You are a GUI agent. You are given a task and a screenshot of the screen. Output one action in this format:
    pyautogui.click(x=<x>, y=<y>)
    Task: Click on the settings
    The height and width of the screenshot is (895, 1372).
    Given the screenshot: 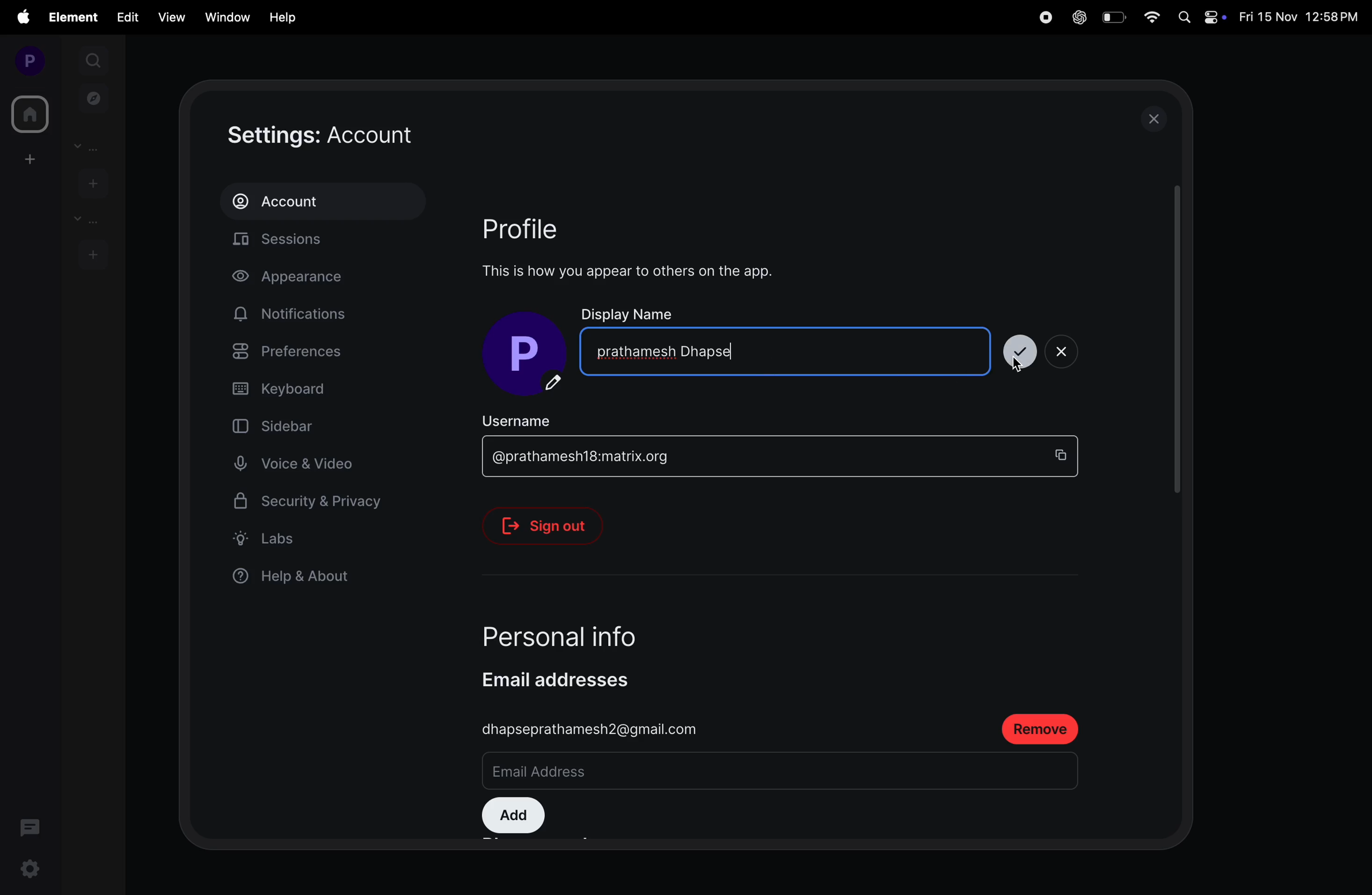 What is the action you would take?
    pyautogui.click(x=30, y=872)
    